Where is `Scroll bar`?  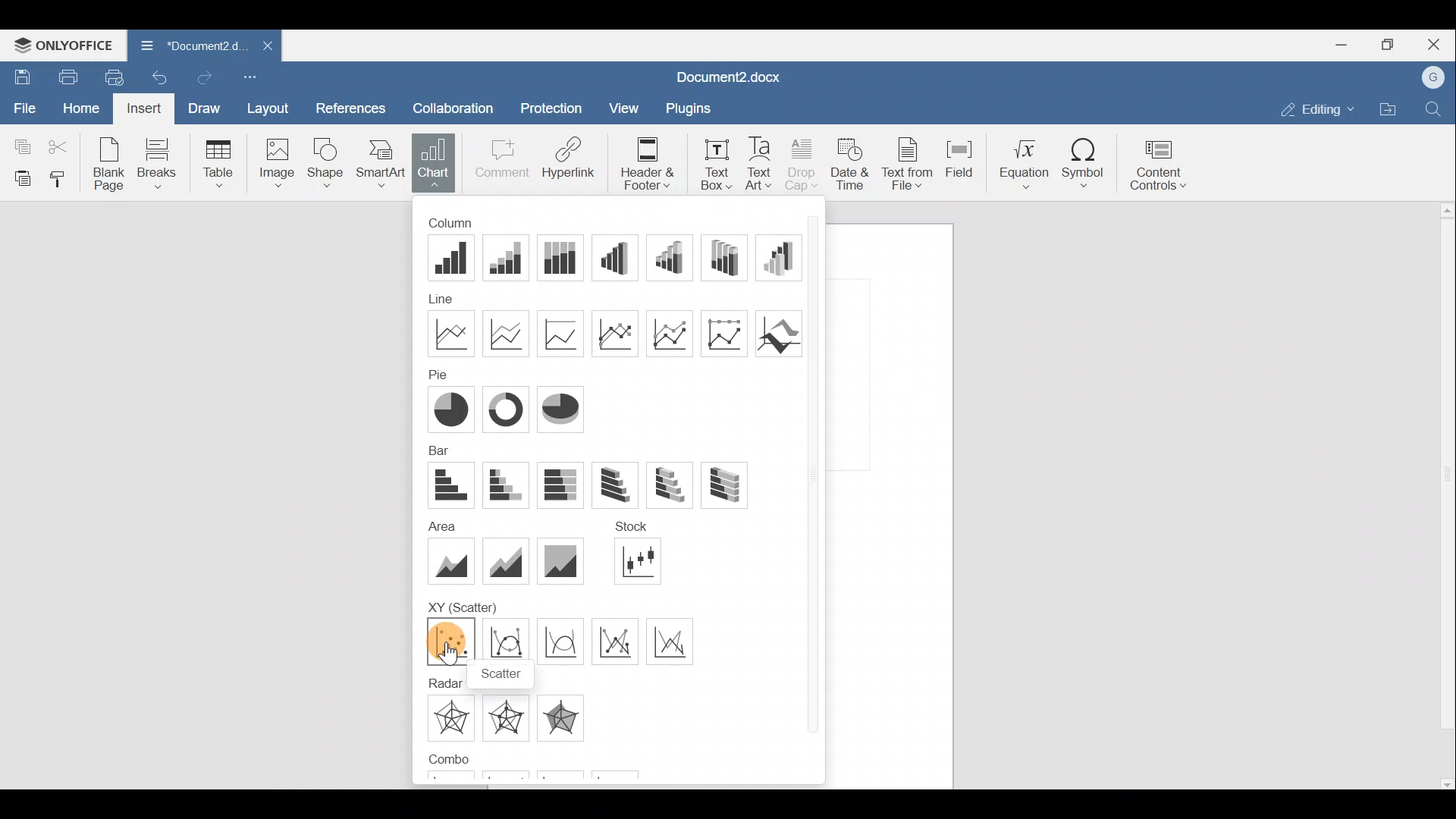 Scroll bar is located at coordinates (1438, 497).